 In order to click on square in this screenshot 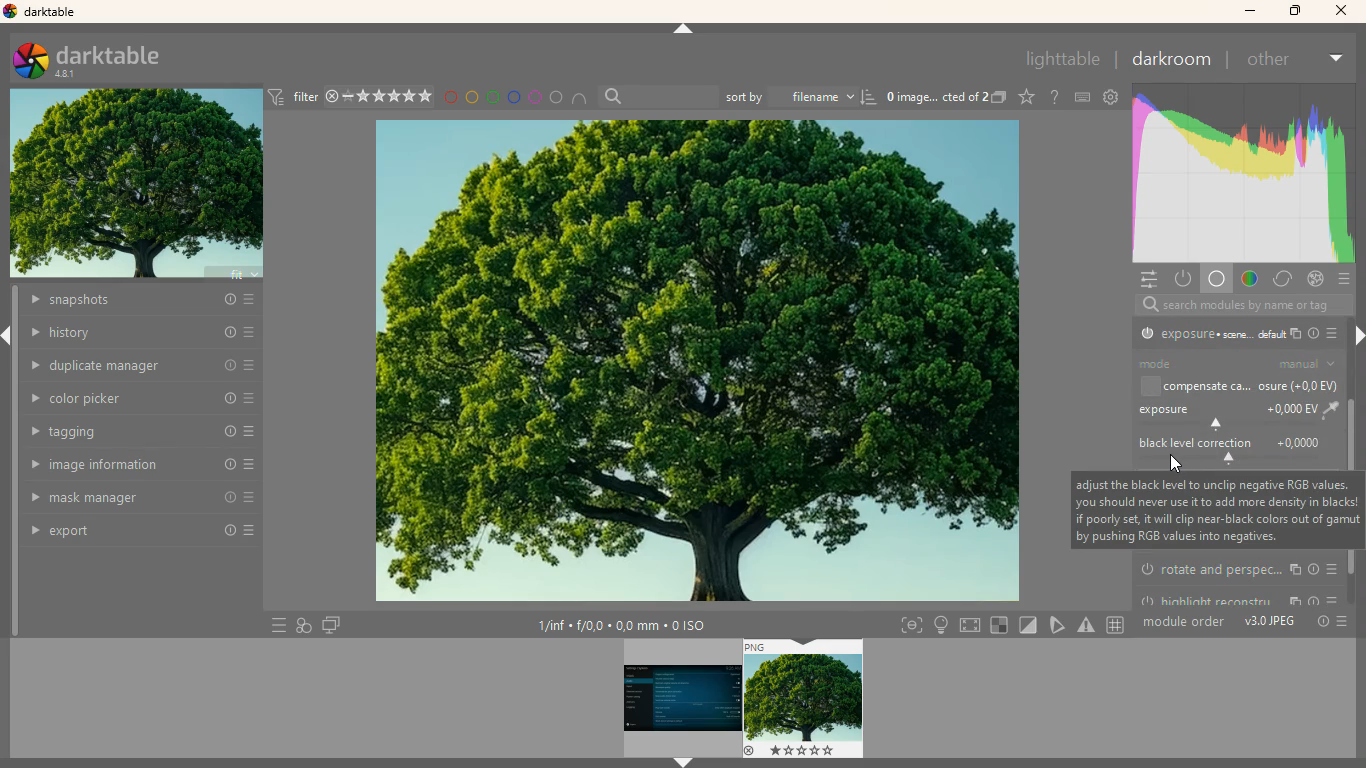, I will do `click(999, 624)`.